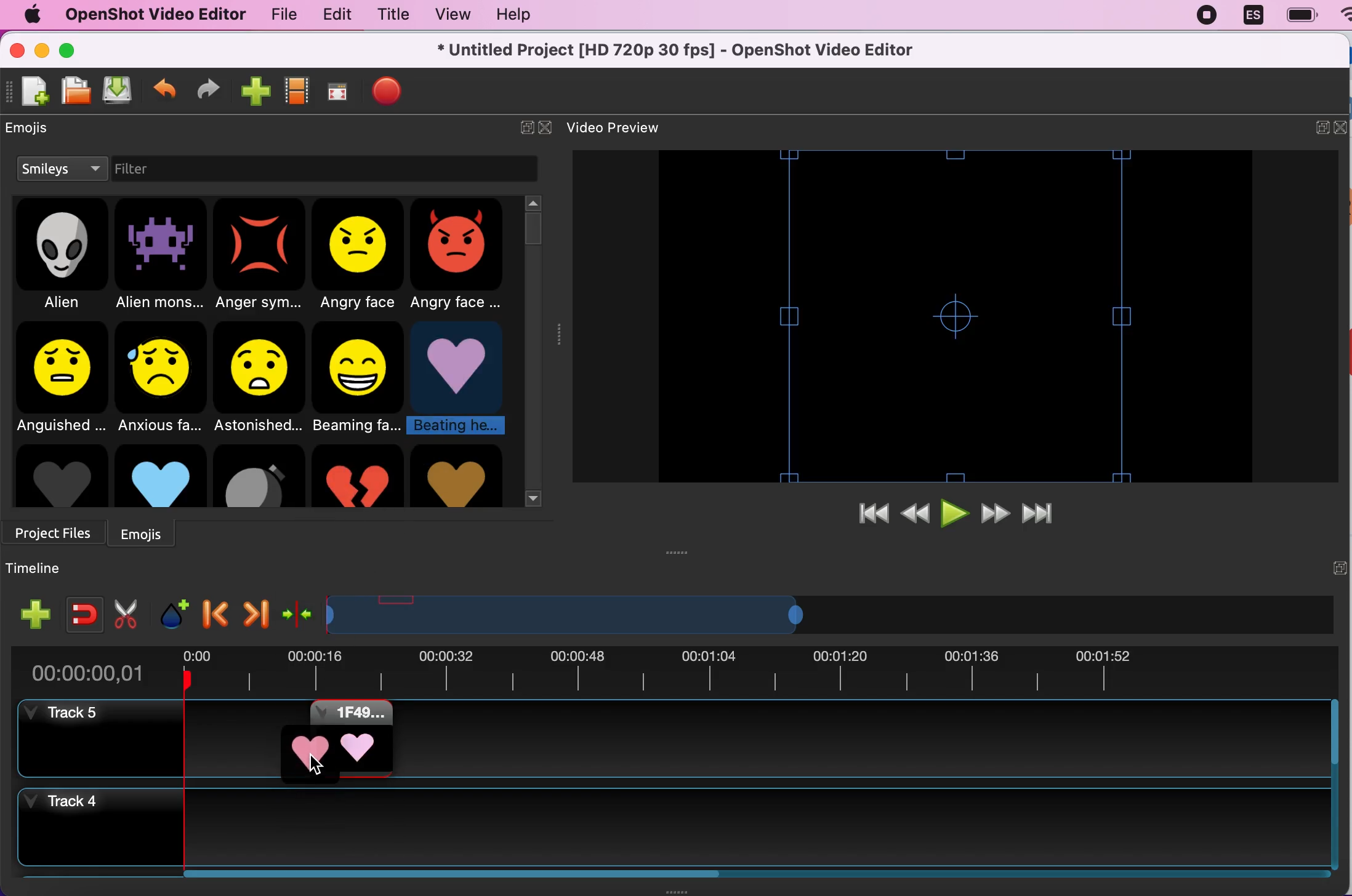  Describe the element at coordinates (1048, 509) in the screenshot. I see `jump to end` at that location.